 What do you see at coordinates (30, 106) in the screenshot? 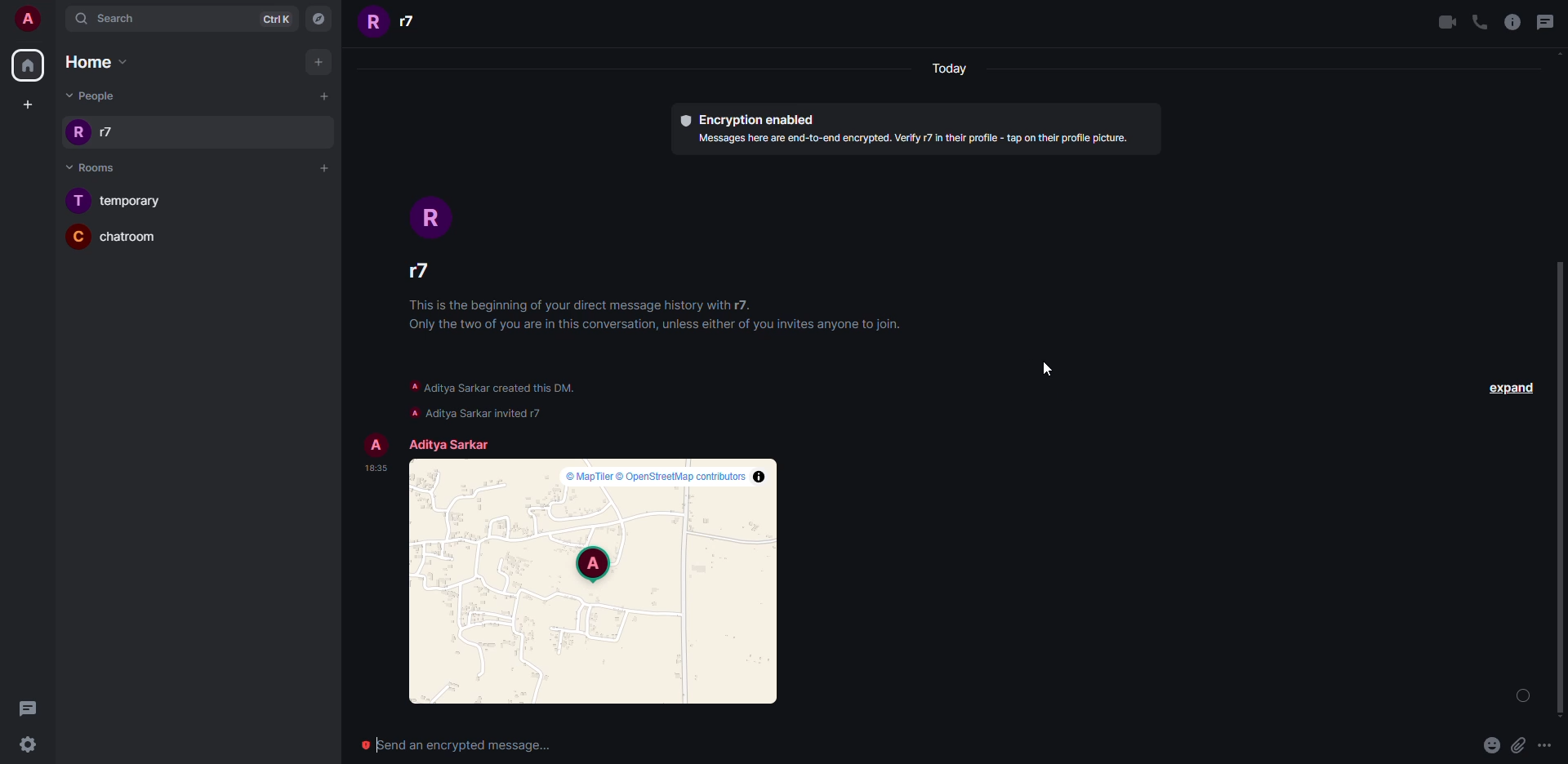
I see `Create a space` at bounding box center [30, 106].